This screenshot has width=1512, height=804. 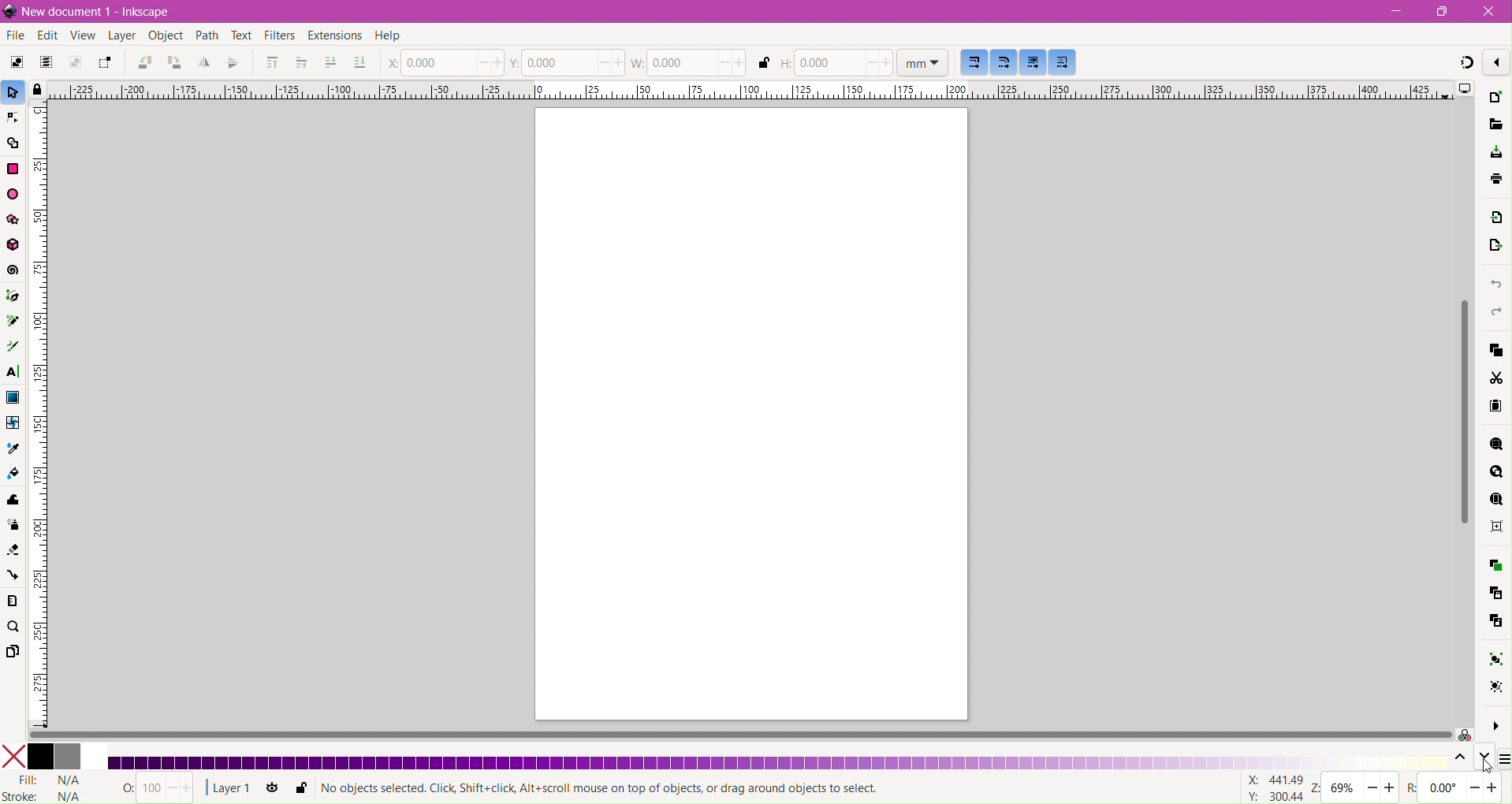 What do you see at coordinates (13, 501) in the screenshot?
I see `Tweak Tool` at bounding box center [13, 501].